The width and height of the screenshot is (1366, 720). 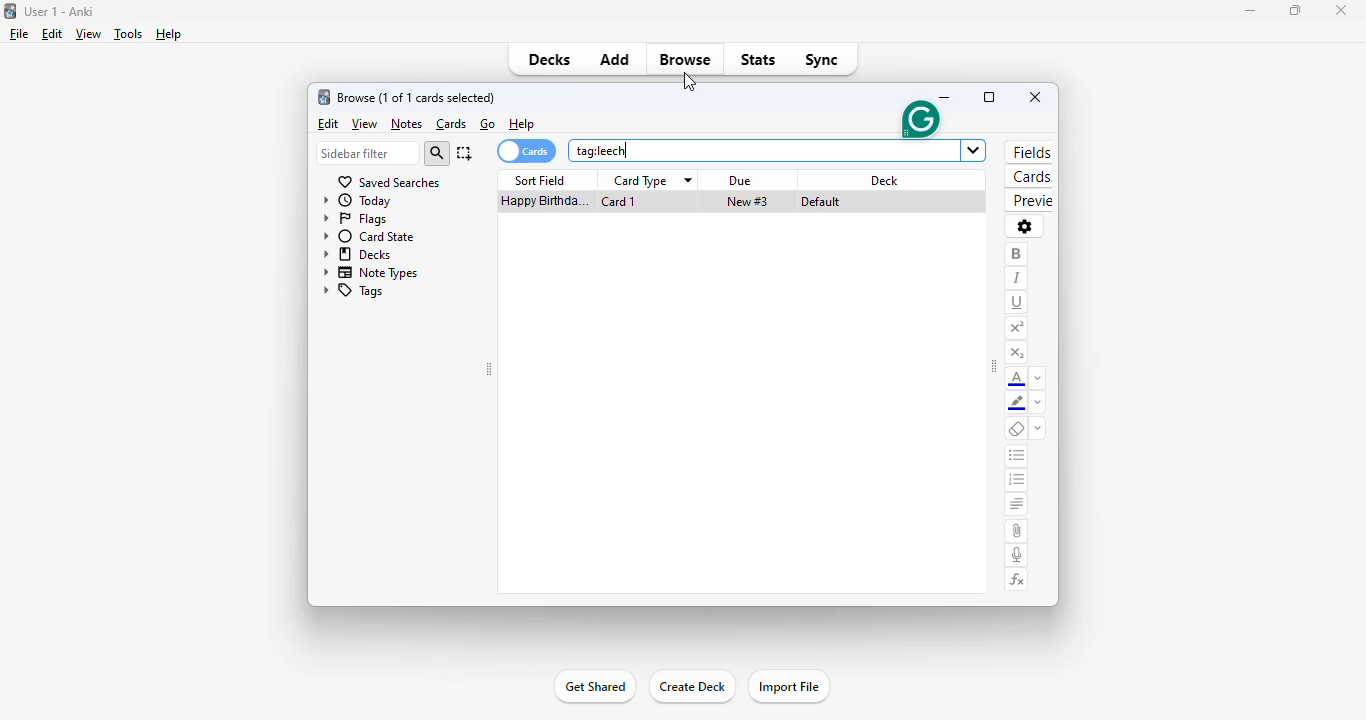 What do you see at coordinates (1017, 303) in the screenshot?
I see `underline` at bounding box center [1017, 303].